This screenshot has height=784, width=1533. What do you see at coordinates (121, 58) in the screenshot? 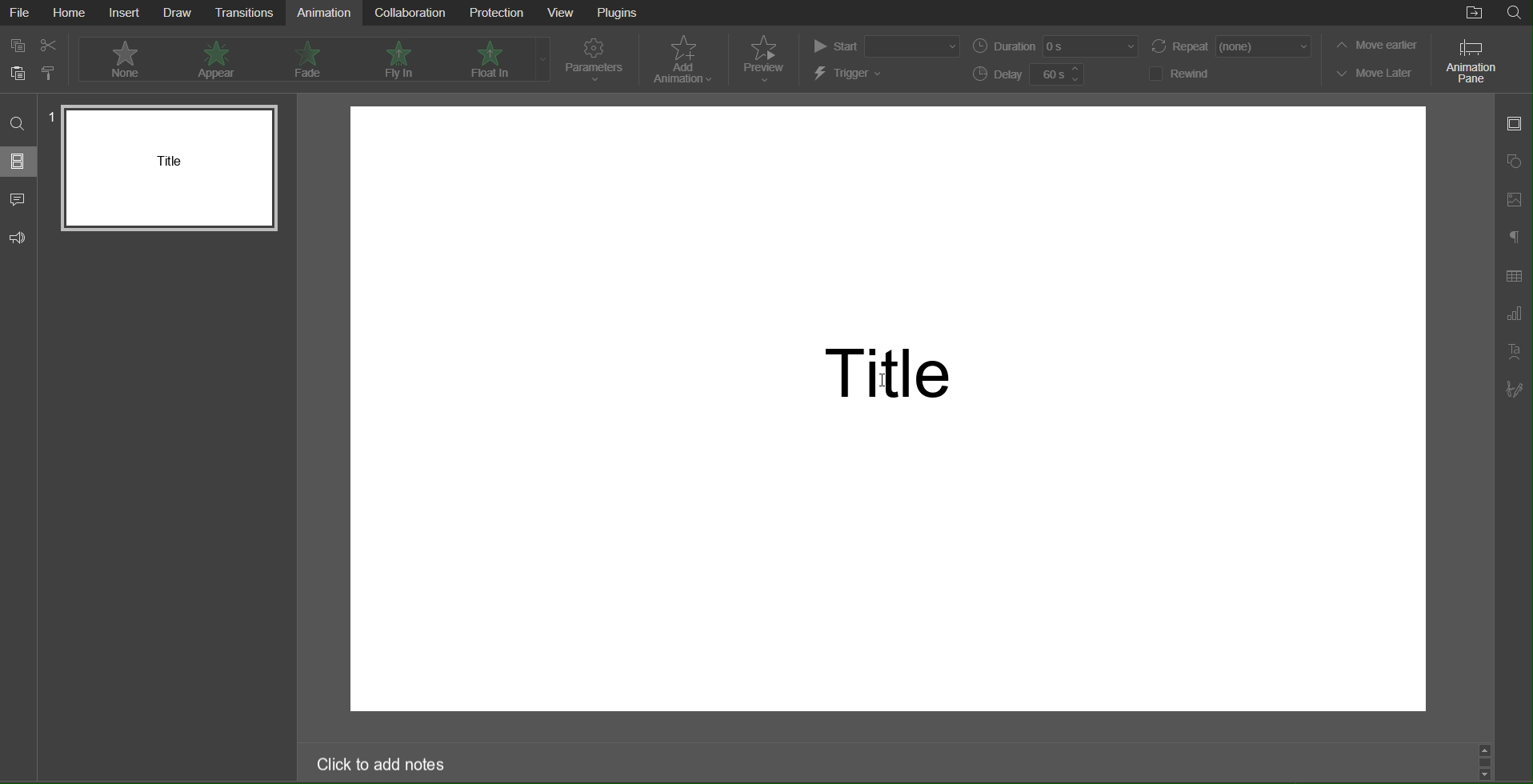
I see `None ` at bounding box center [121, 58].